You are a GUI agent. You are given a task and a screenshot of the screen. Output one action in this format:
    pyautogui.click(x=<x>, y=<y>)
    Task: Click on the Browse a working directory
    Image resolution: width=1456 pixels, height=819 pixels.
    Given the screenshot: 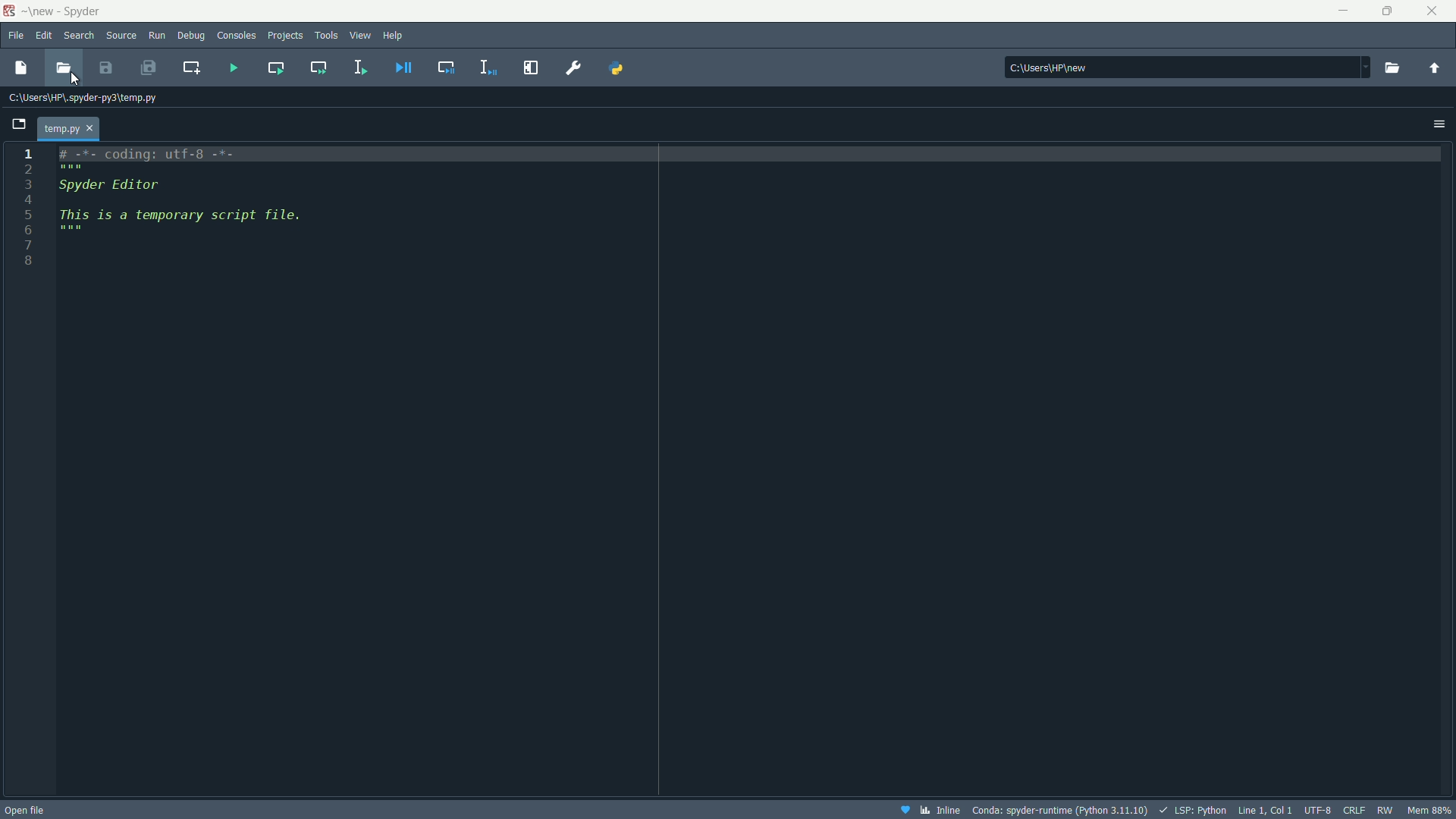 What is the action you would take?
    pyautogui.click(x=1392, y=67)
    